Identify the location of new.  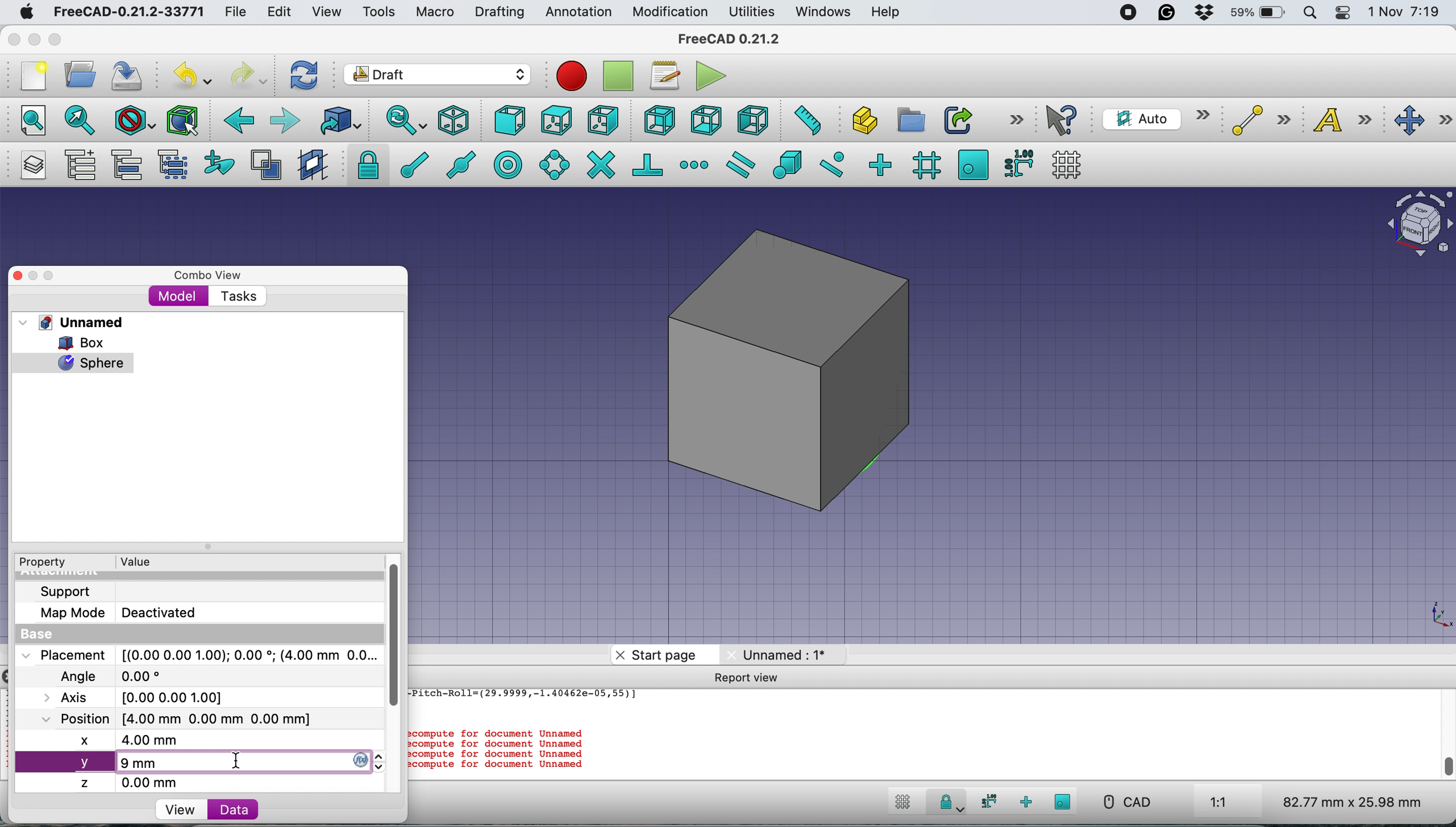
(30, 76).